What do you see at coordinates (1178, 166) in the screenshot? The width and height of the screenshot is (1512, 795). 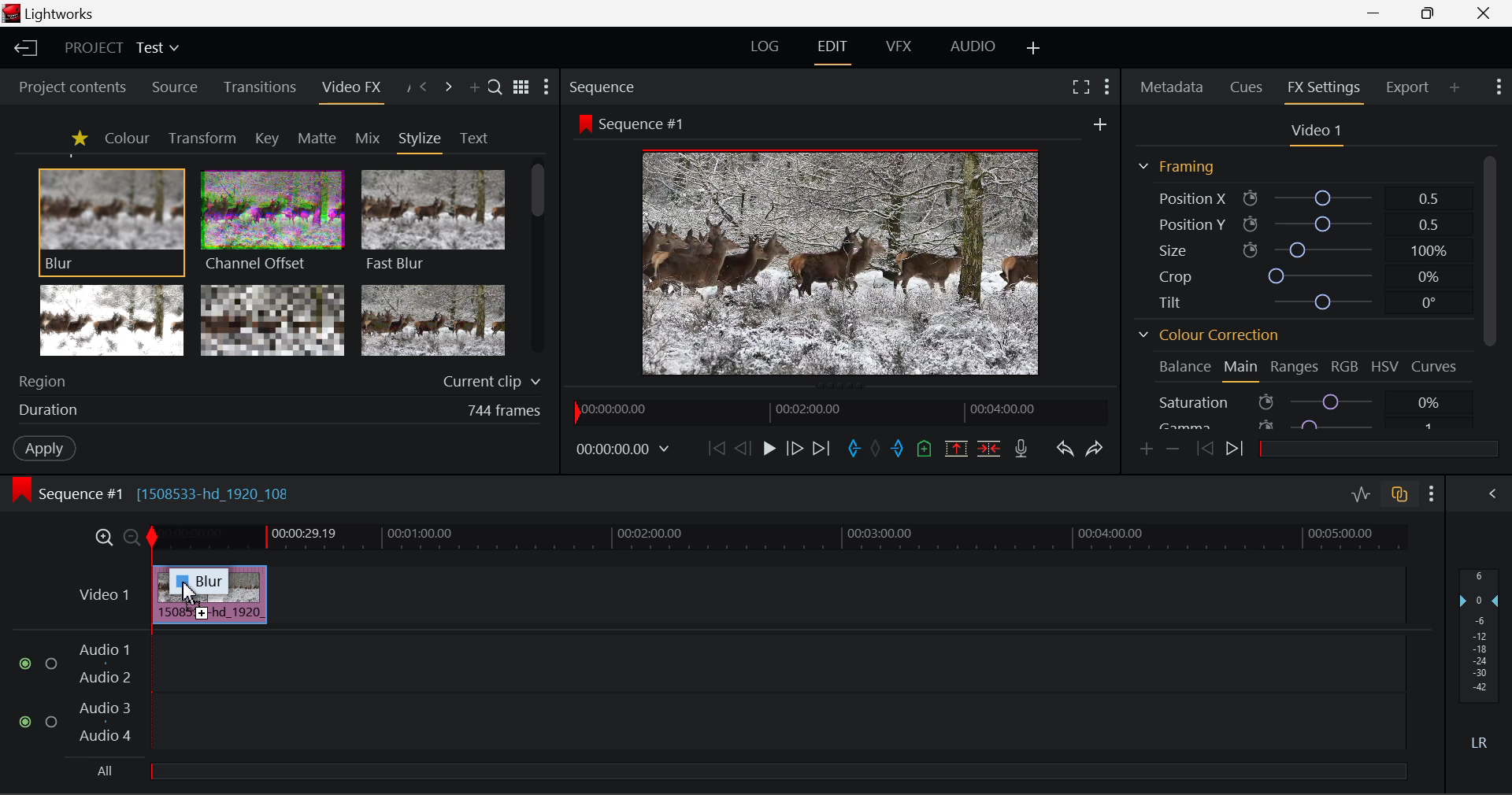 I see `Framing Section` at bounding box center [1178, 166].